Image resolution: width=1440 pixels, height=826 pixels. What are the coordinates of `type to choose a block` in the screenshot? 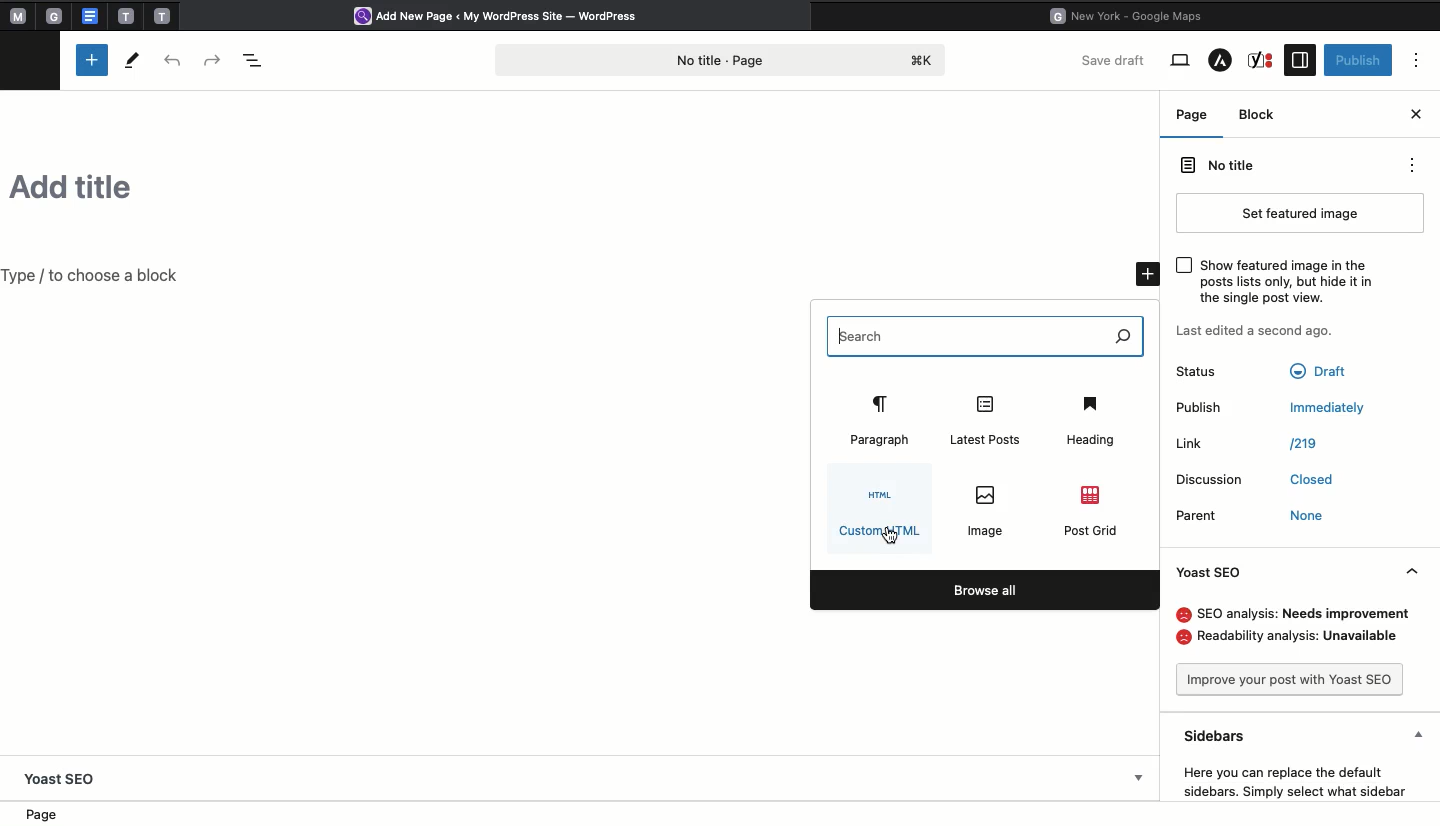 It's located at (97, 276).